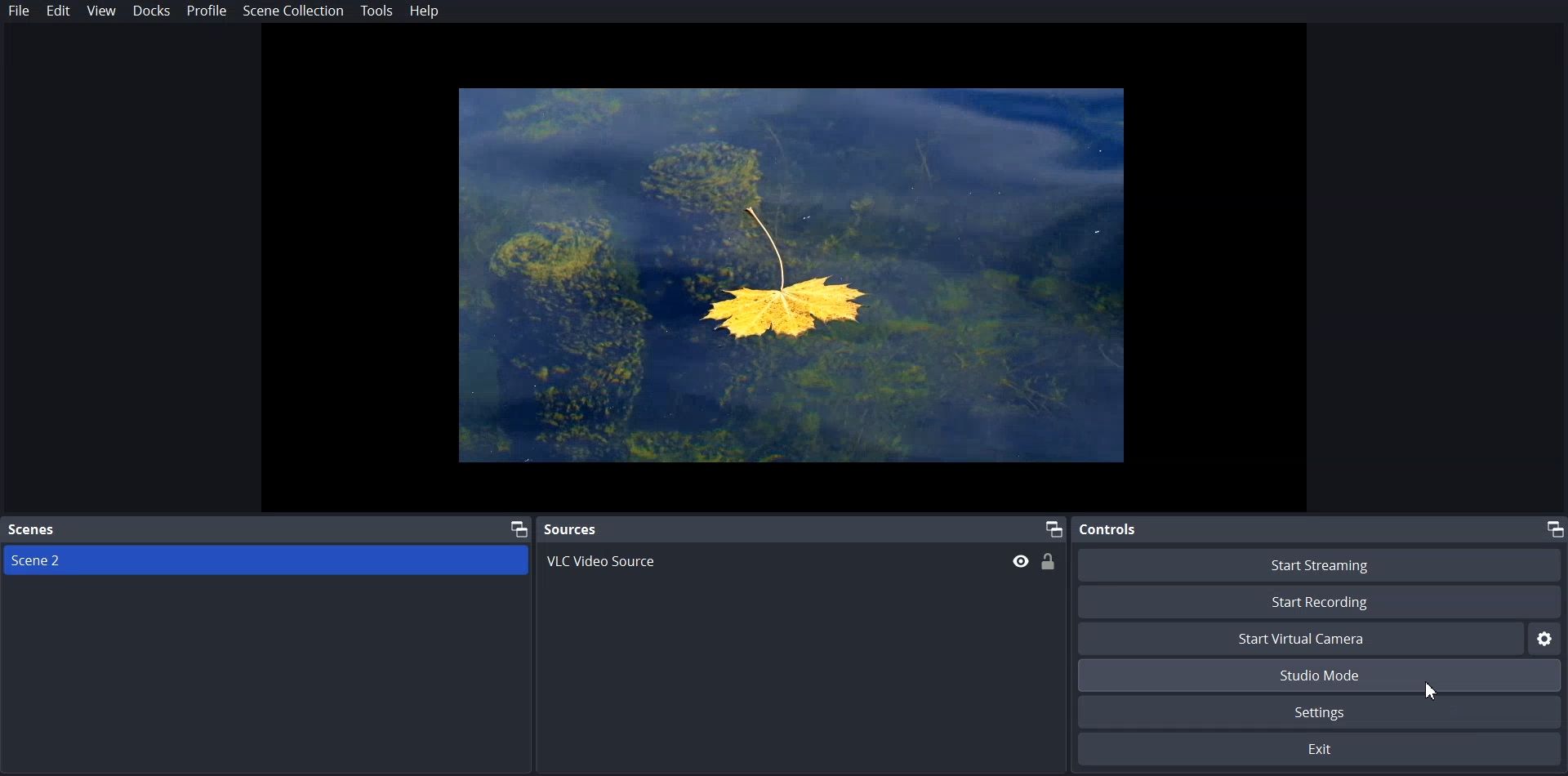 Image resolution: width=1568 pixels, height=776 pixels. Describe the element at coordinates (1022, 560) in the screenshot. I see `Hide` at that location.